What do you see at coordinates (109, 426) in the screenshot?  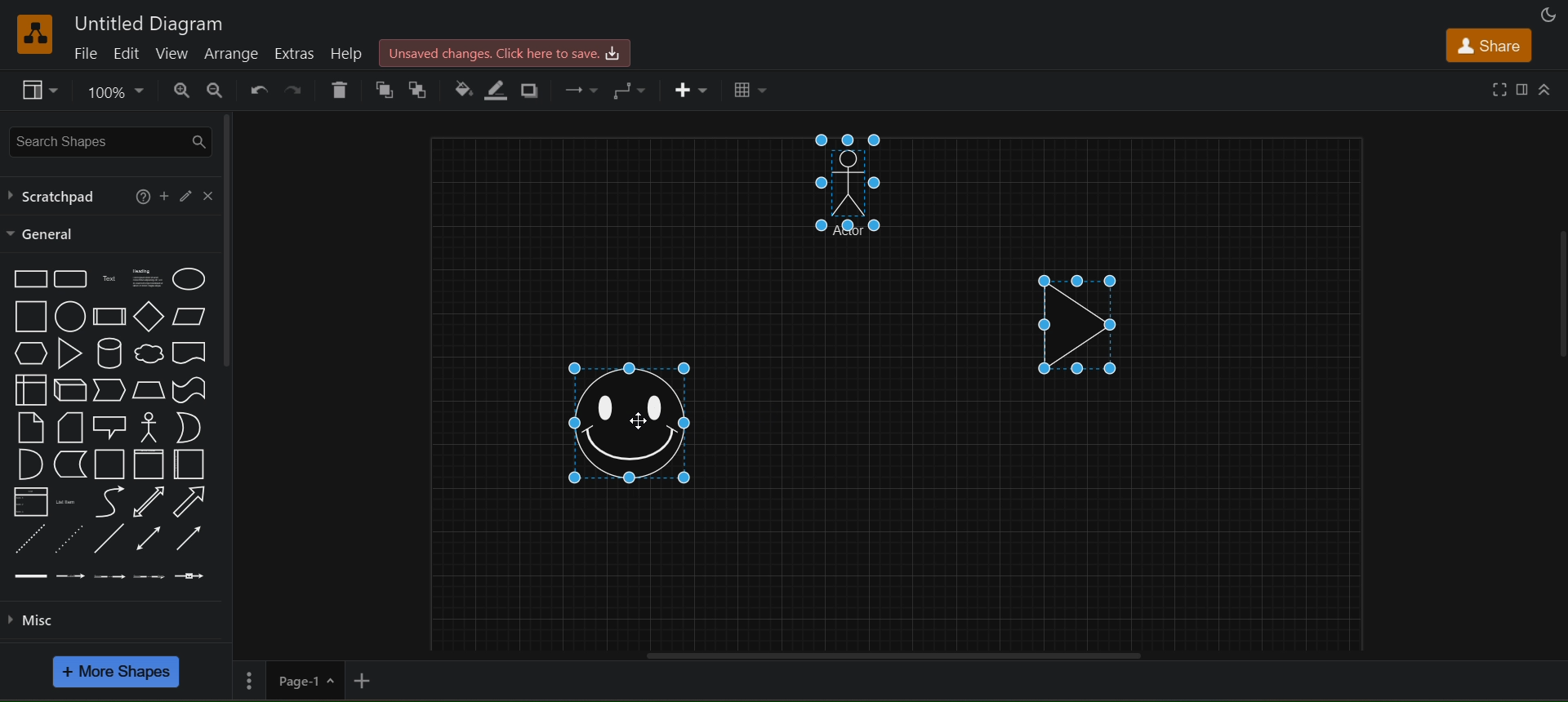 I see `callout` at bounding box center [109, 426].